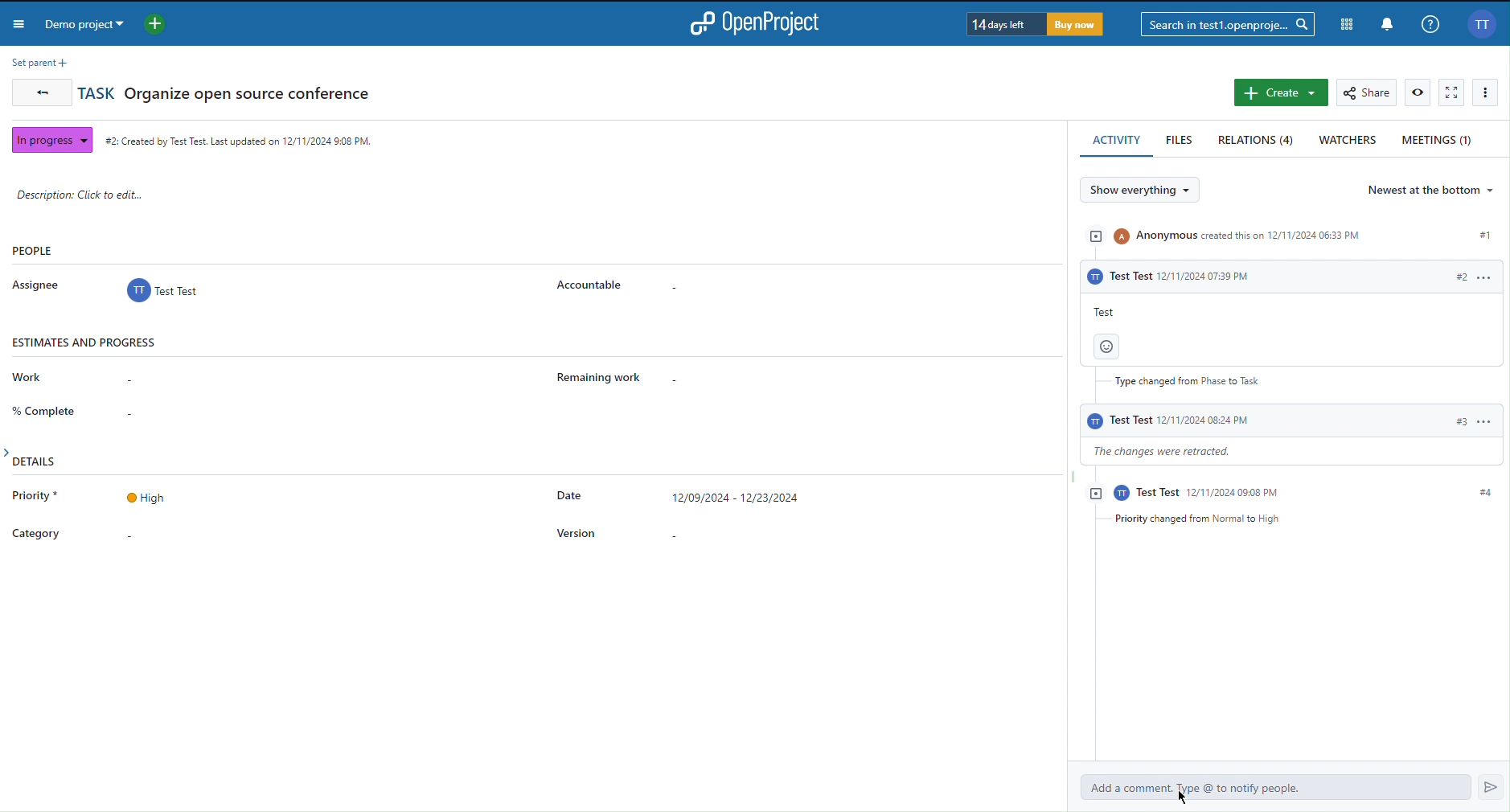 The image size is (1510, 812). Describe the element at coordinates (1439, 139) in the screenshot. I see `Meetings` at that location.